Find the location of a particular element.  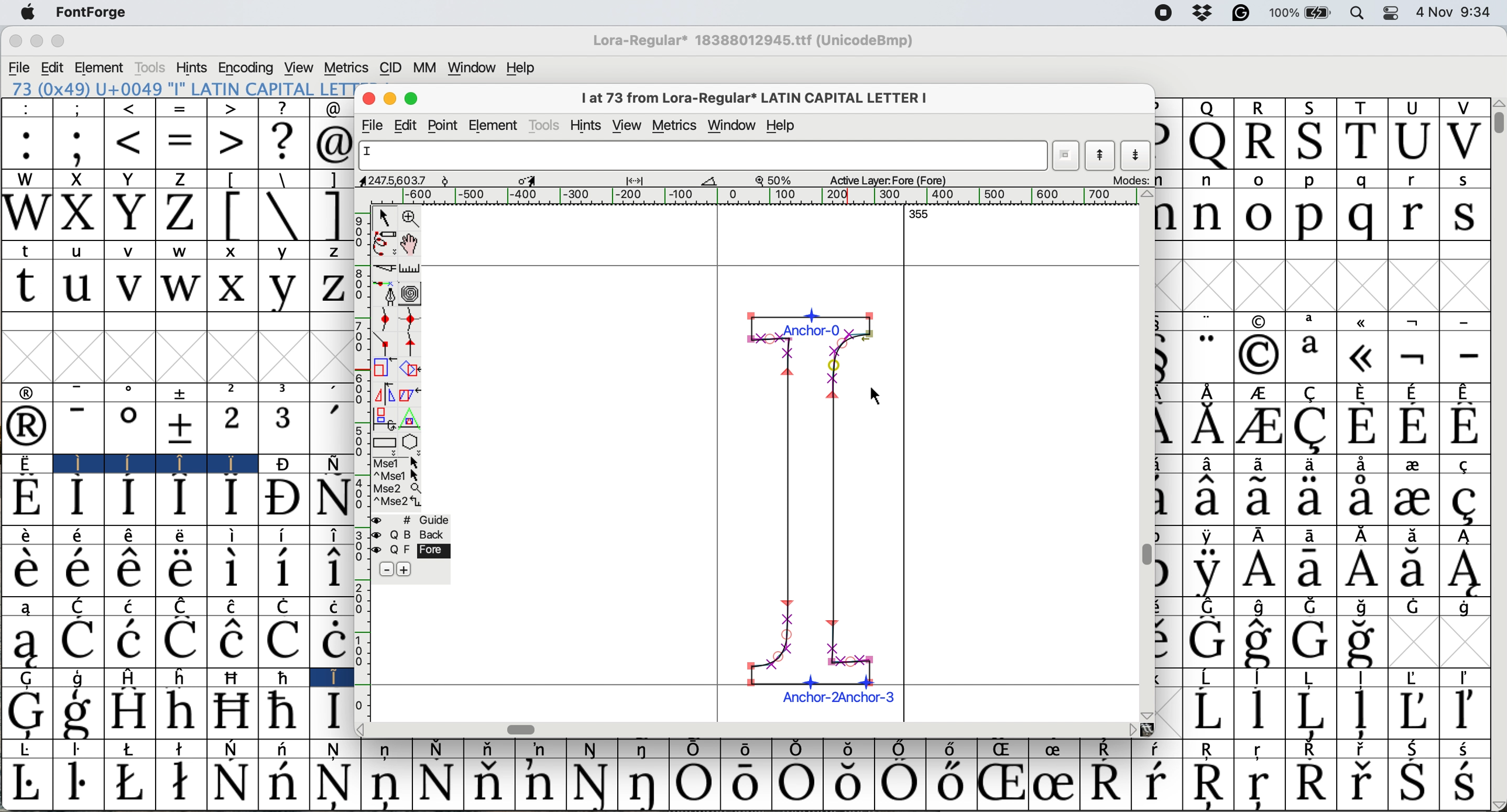

font forge is located at coordinates (98, 12).